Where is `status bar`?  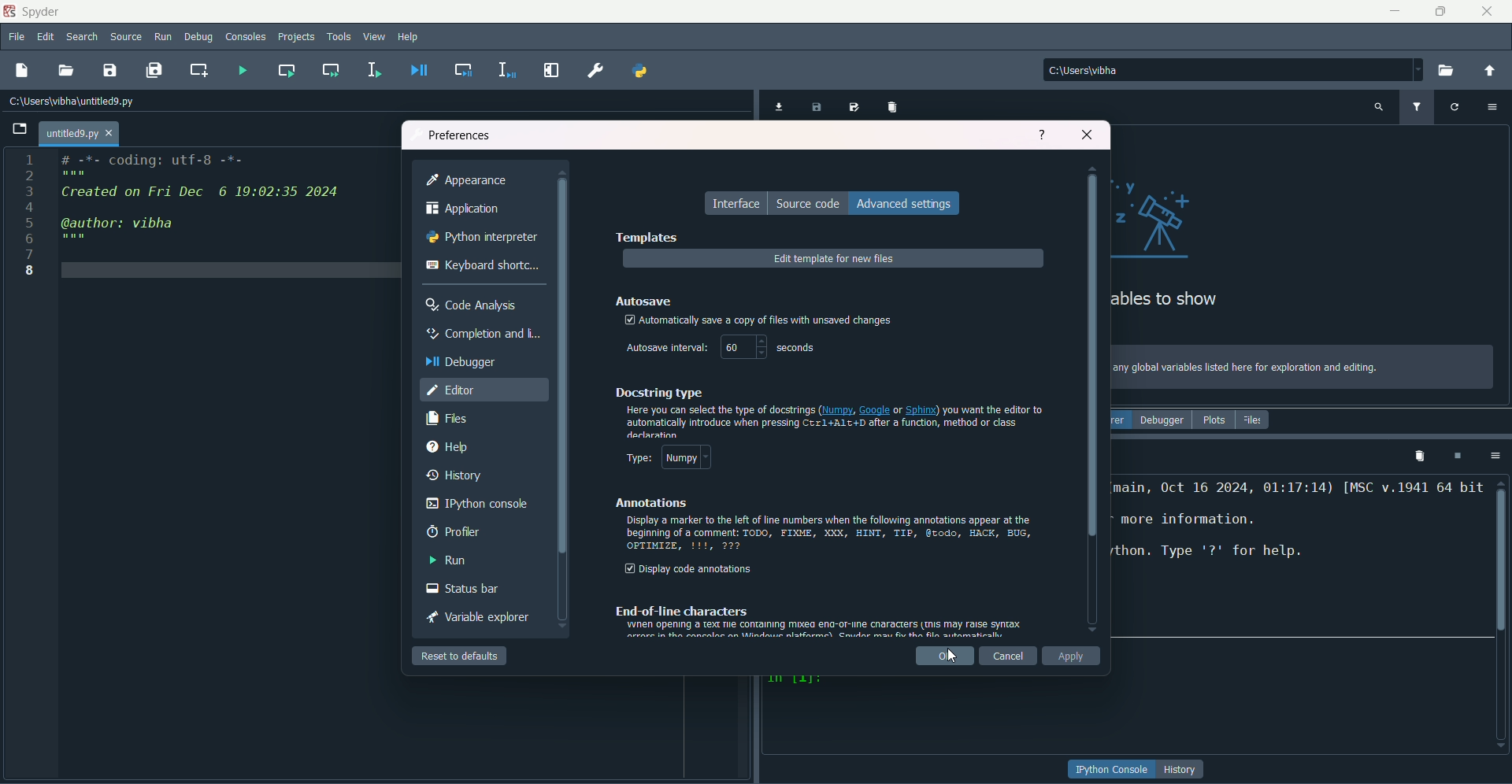 status bar is located at coordinates (460, 590).